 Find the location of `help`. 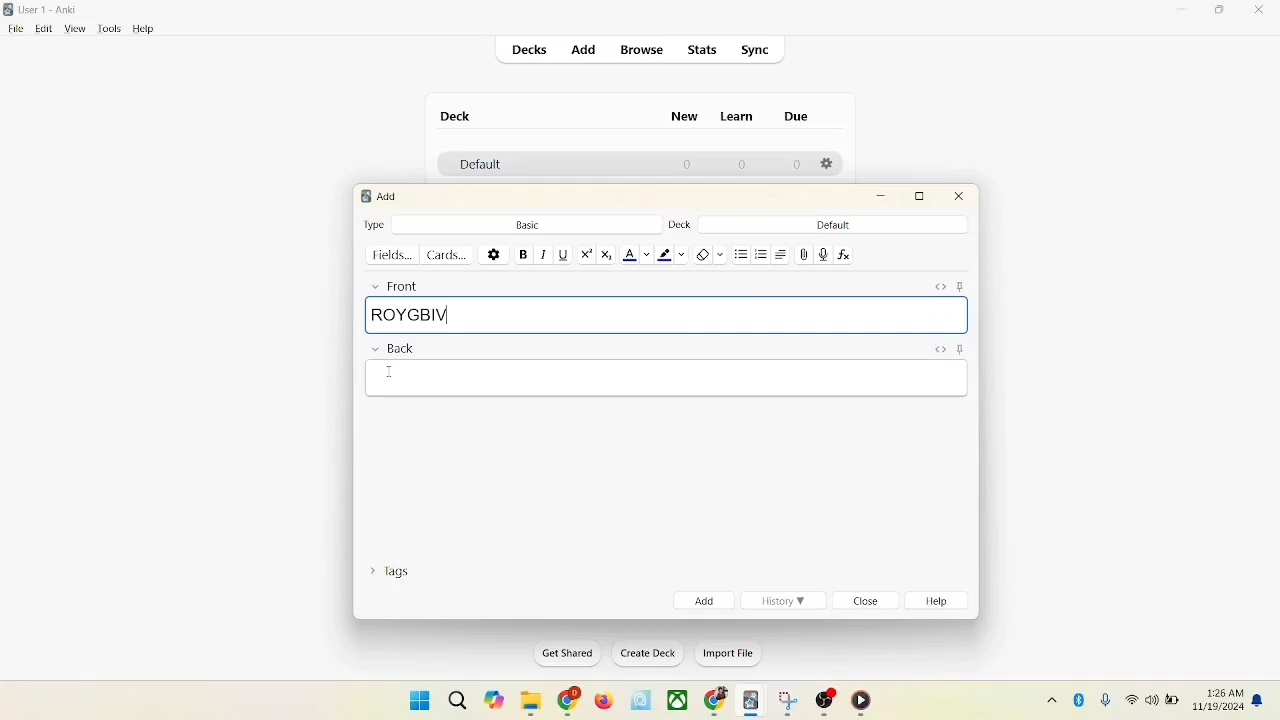

help is located at coordinates (941, 603).